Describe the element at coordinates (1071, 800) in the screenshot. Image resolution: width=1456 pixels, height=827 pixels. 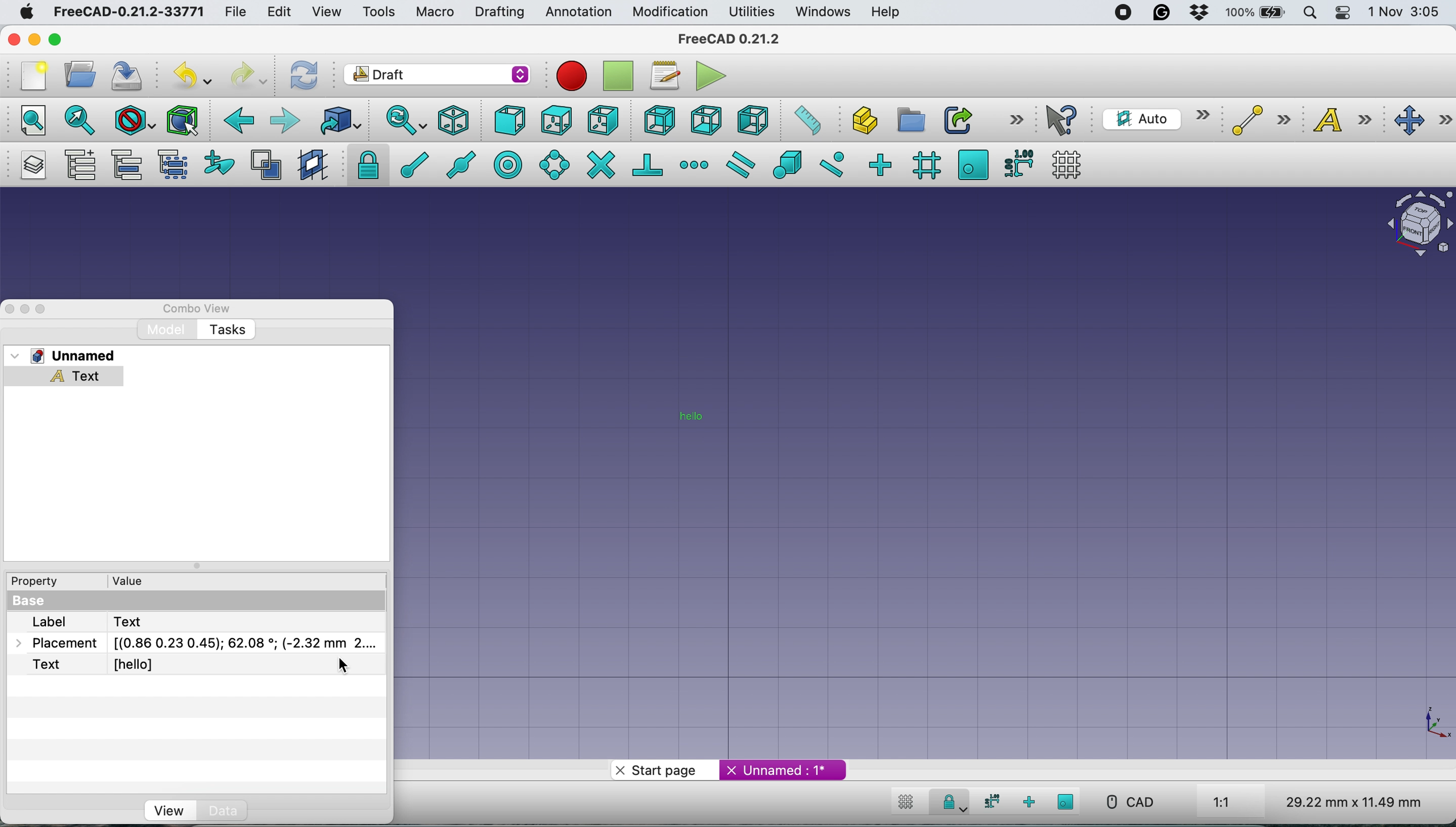
I see `snap working plane` at that location.